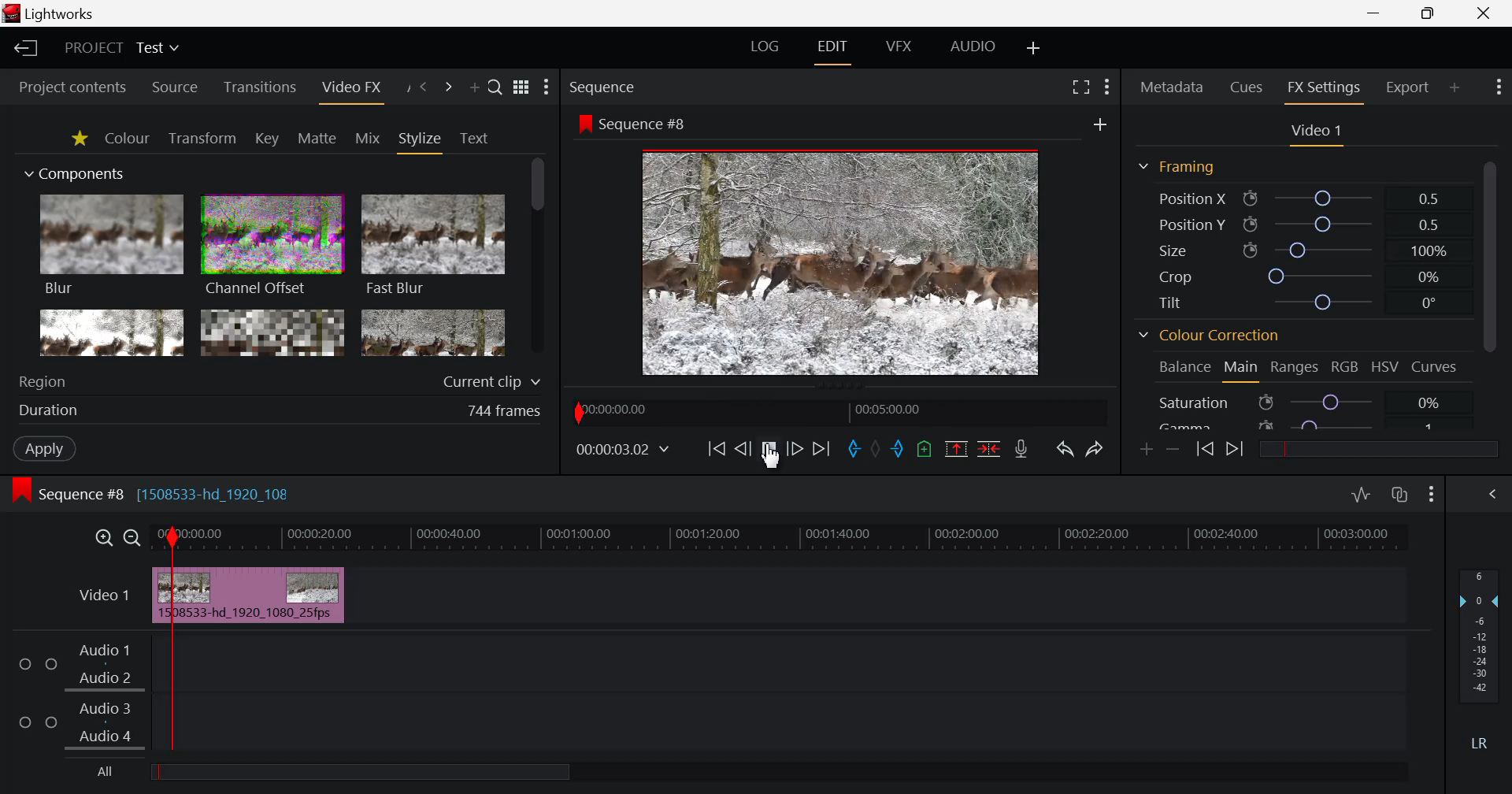  What do you see at coordinates (103, 598) in the screenshot?
I see `Video Layer` at bounding box center [103, 598].